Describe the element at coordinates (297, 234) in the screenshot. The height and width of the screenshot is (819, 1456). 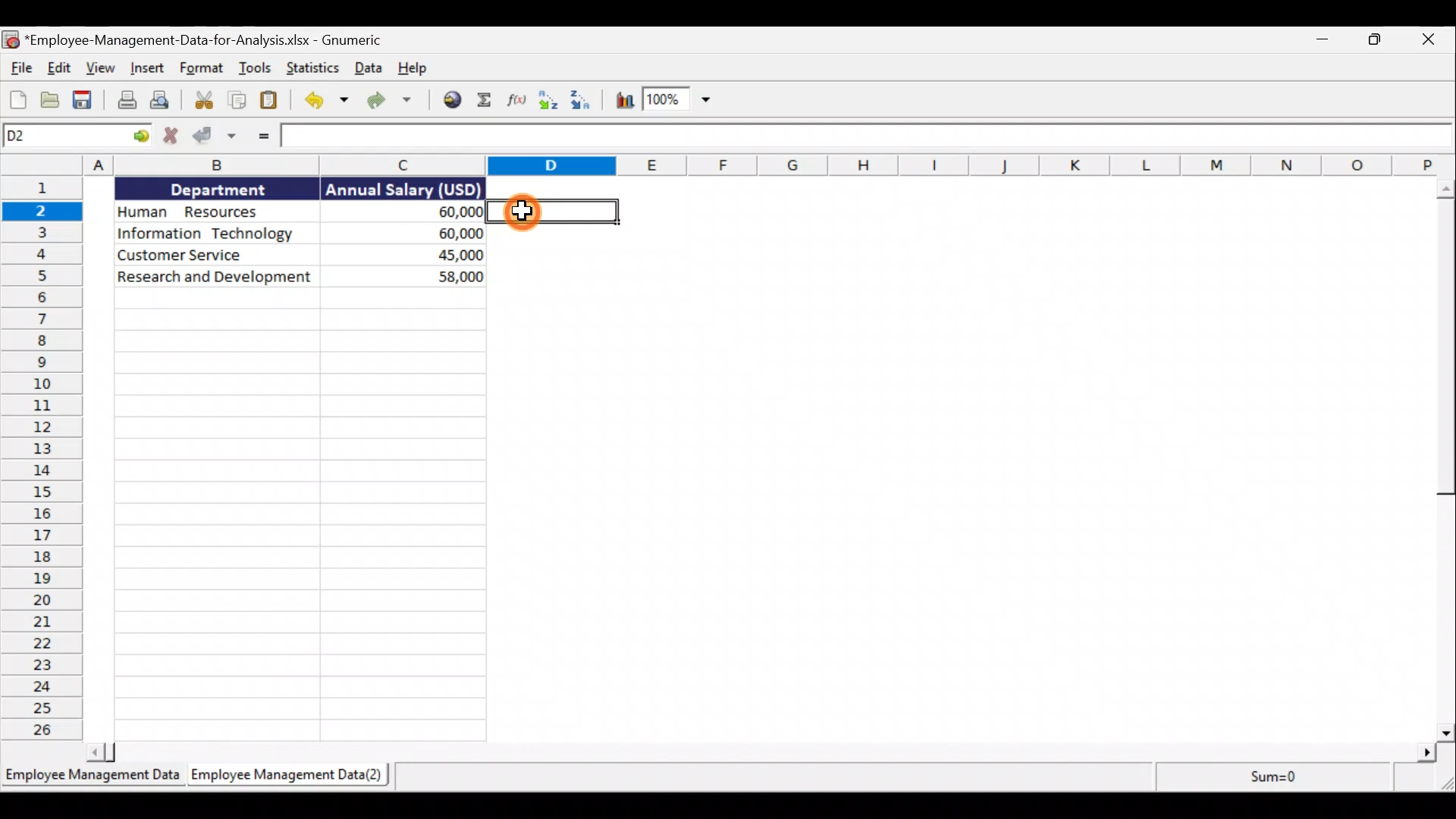
I see `Data` at that location.